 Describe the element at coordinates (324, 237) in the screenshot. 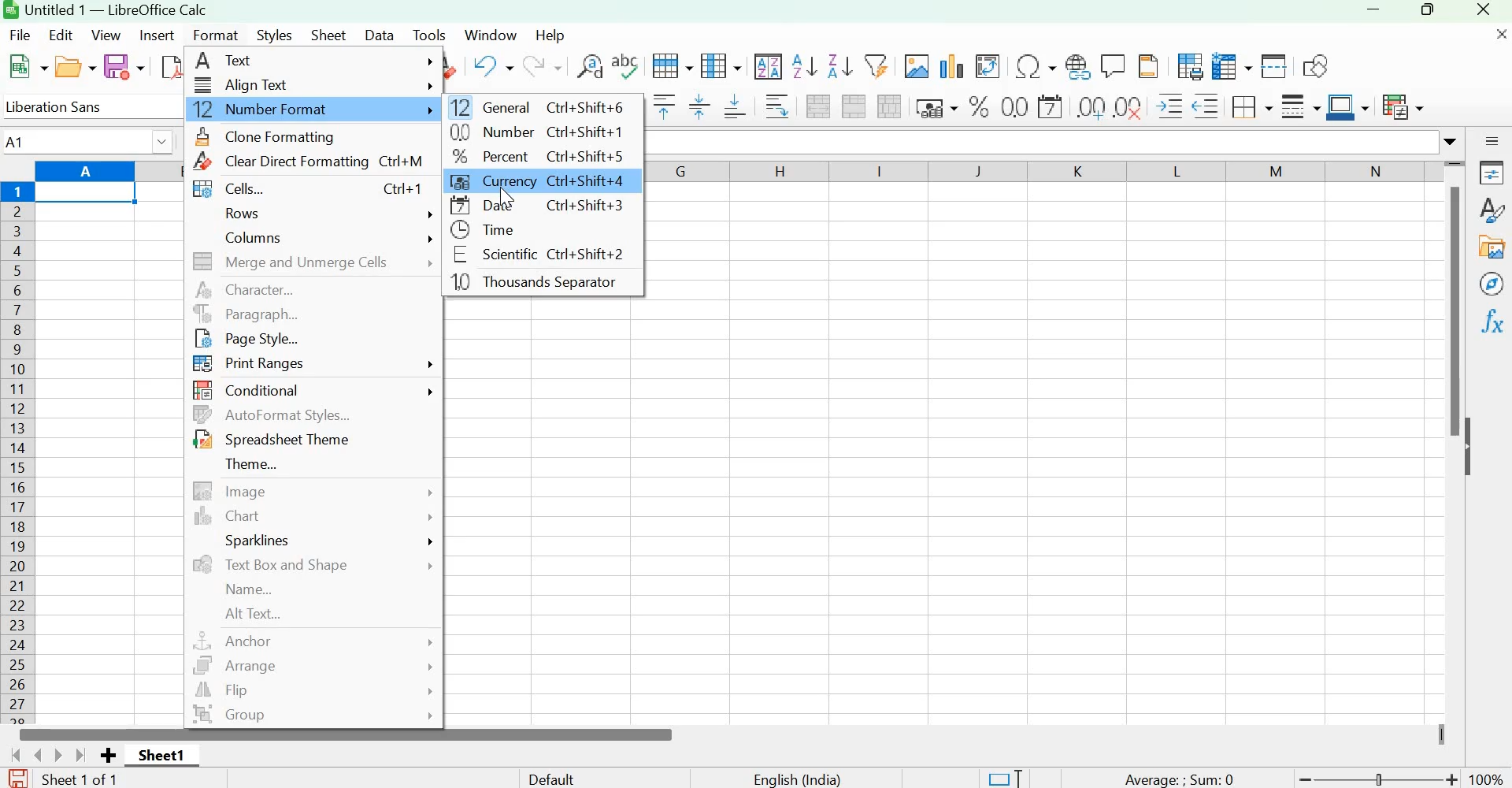

I see `Columns` at that location.